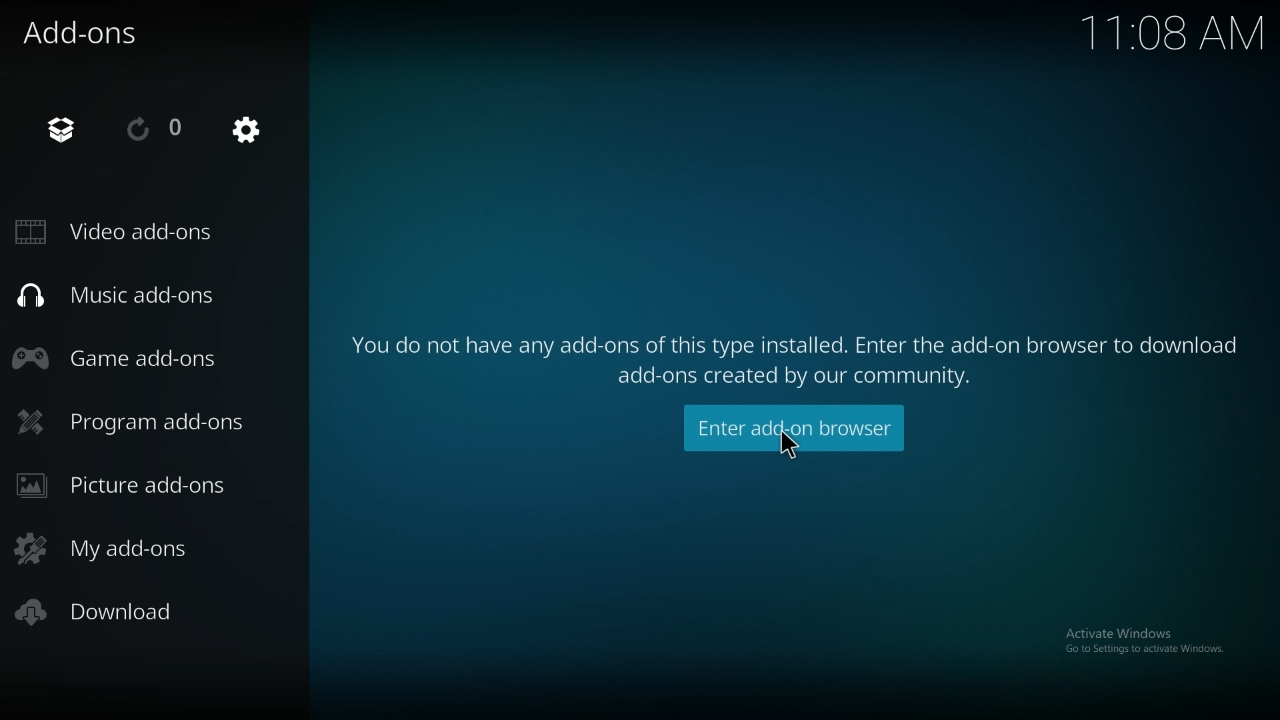 This screenshot has width=1280, height=720. Describe the element at coordinates (137, 293) in the screenshot. I see `music add ons` at that location.